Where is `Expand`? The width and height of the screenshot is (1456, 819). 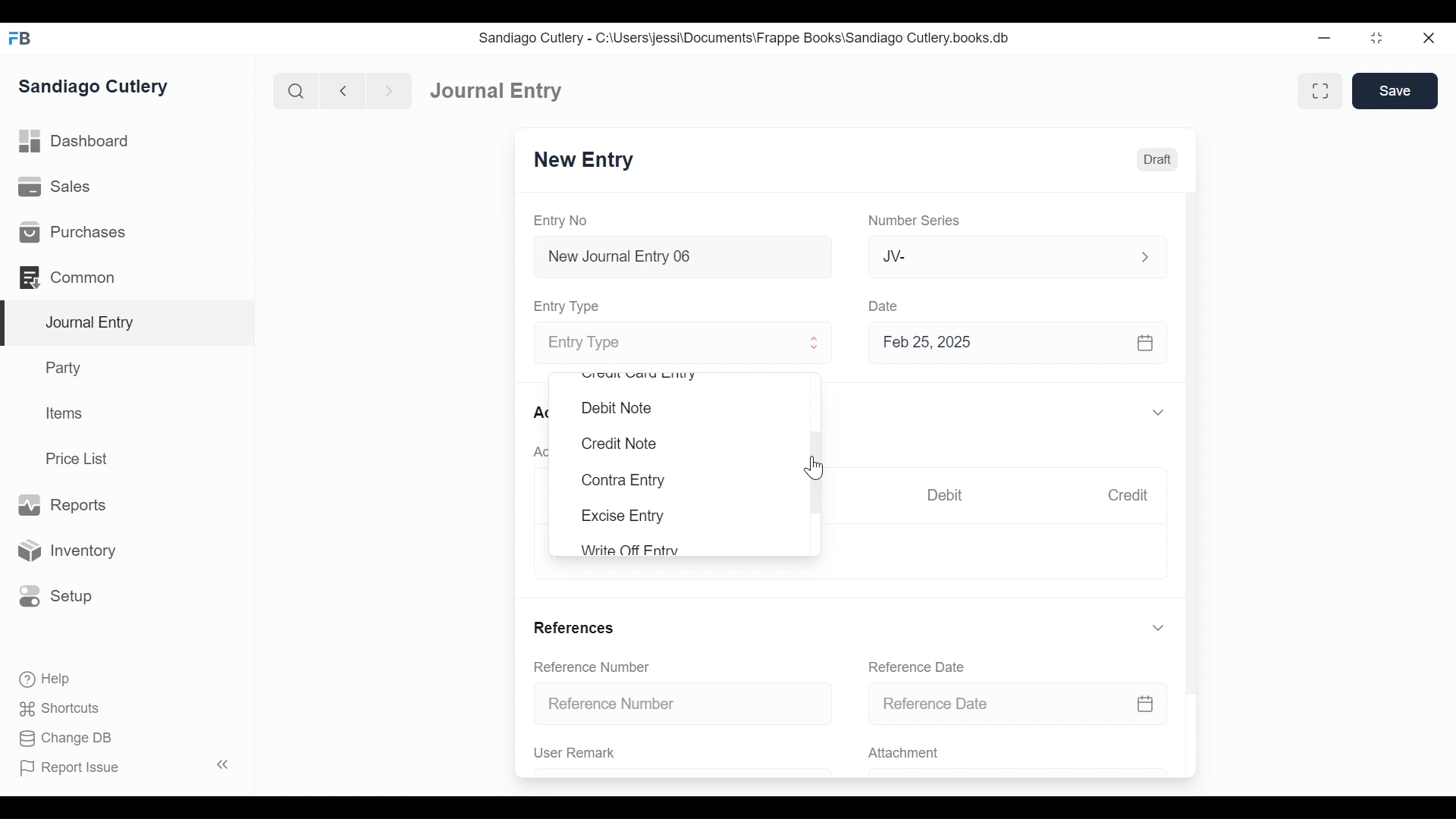 Expand is located at coordinates (1158, 628).